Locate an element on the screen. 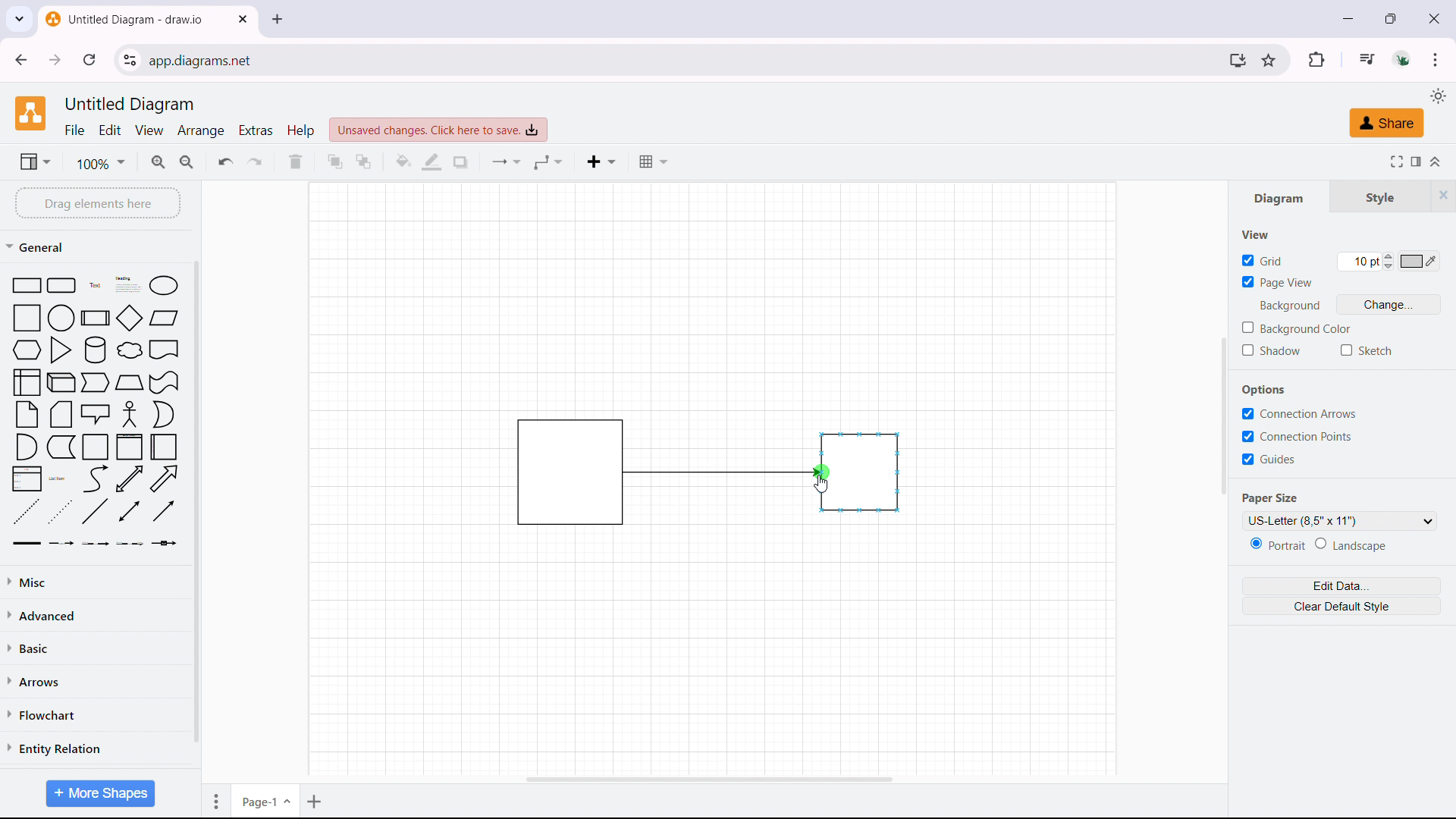 The image size is (1456, 819). horizontal scrollbar is located at coordinates (710, 780).